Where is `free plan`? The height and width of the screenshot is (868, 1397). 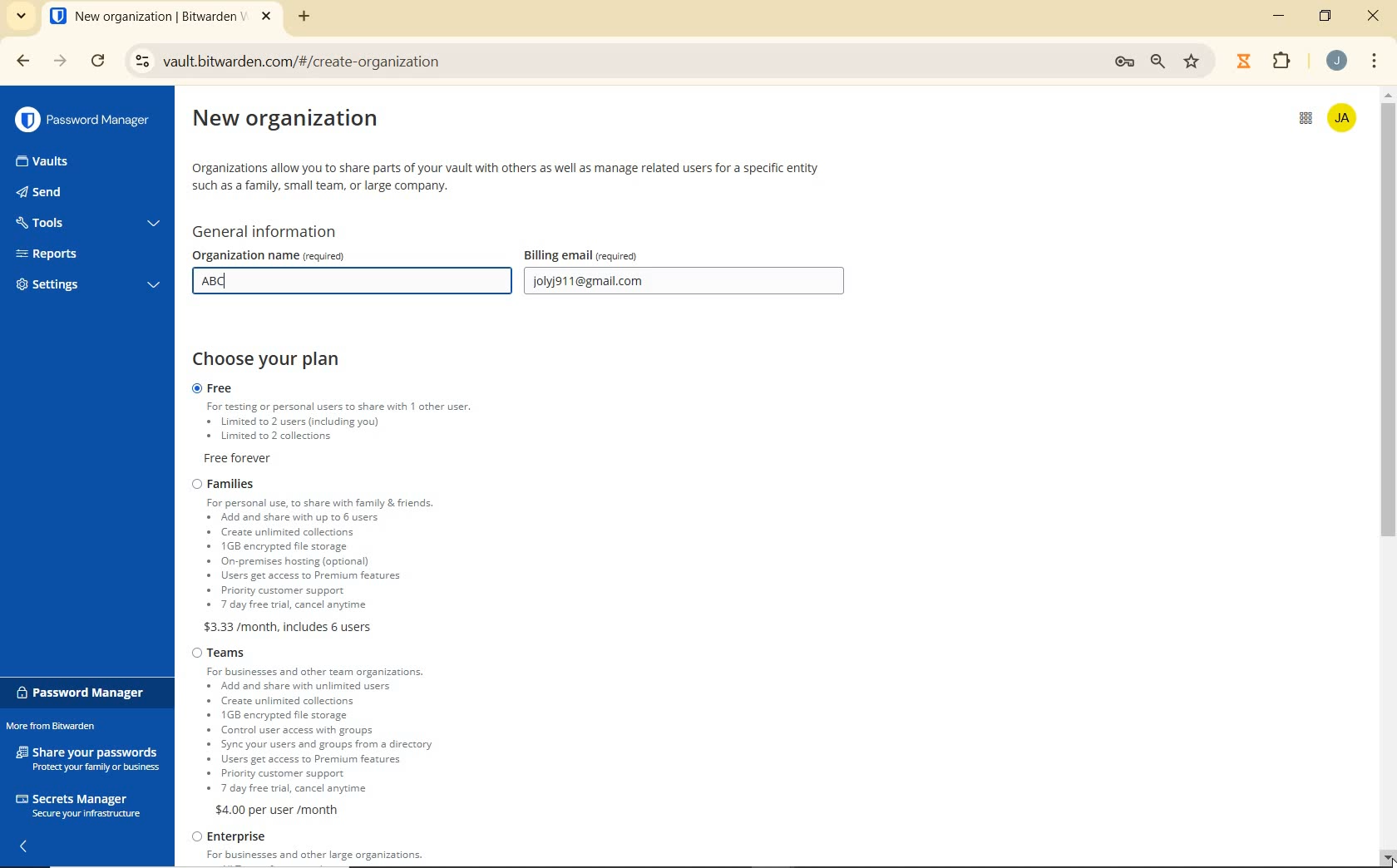
free plan is located at coordinates (359, 425).